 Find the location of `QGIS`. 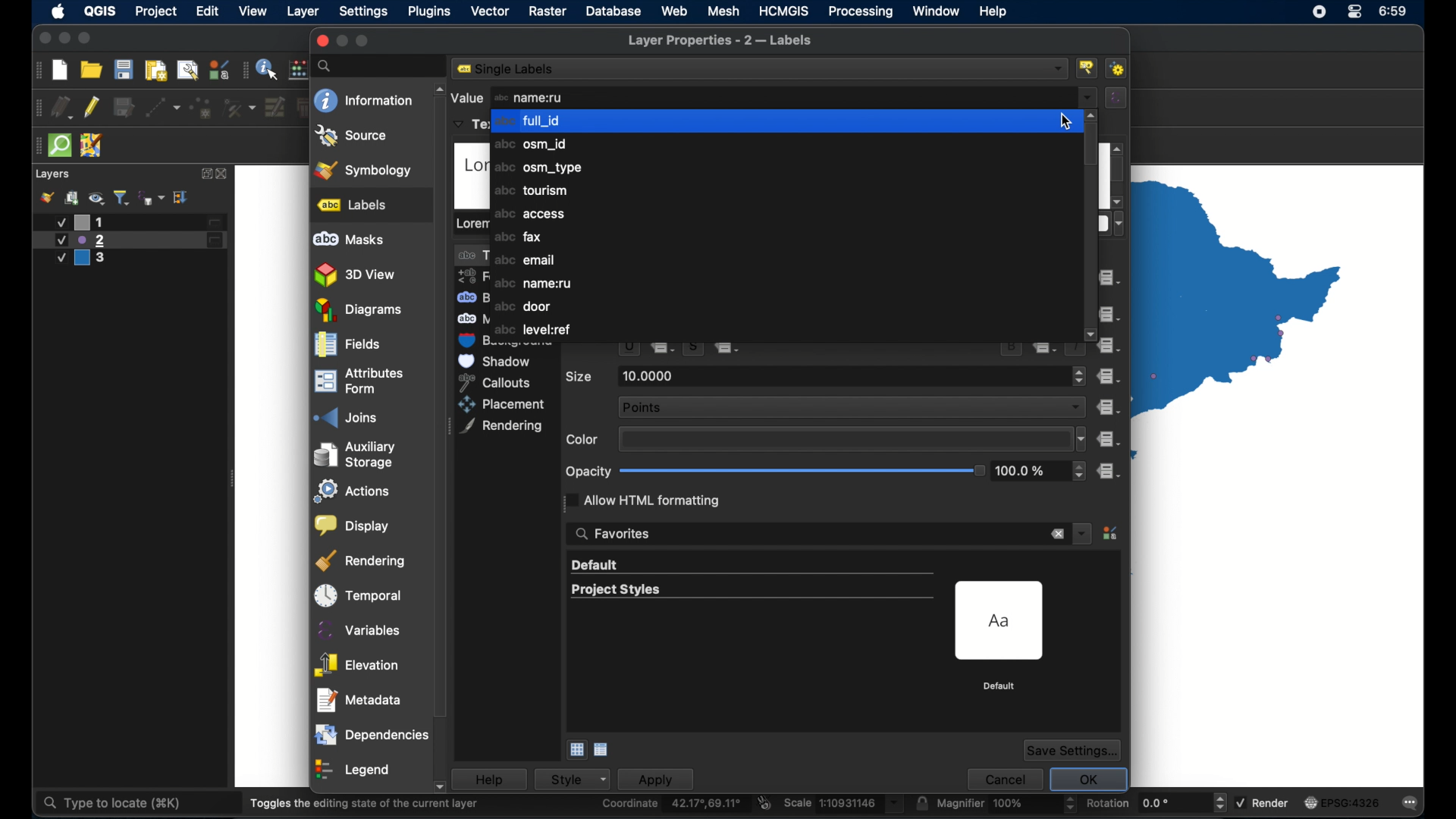

QGIS is located at coordinates (102, 11).